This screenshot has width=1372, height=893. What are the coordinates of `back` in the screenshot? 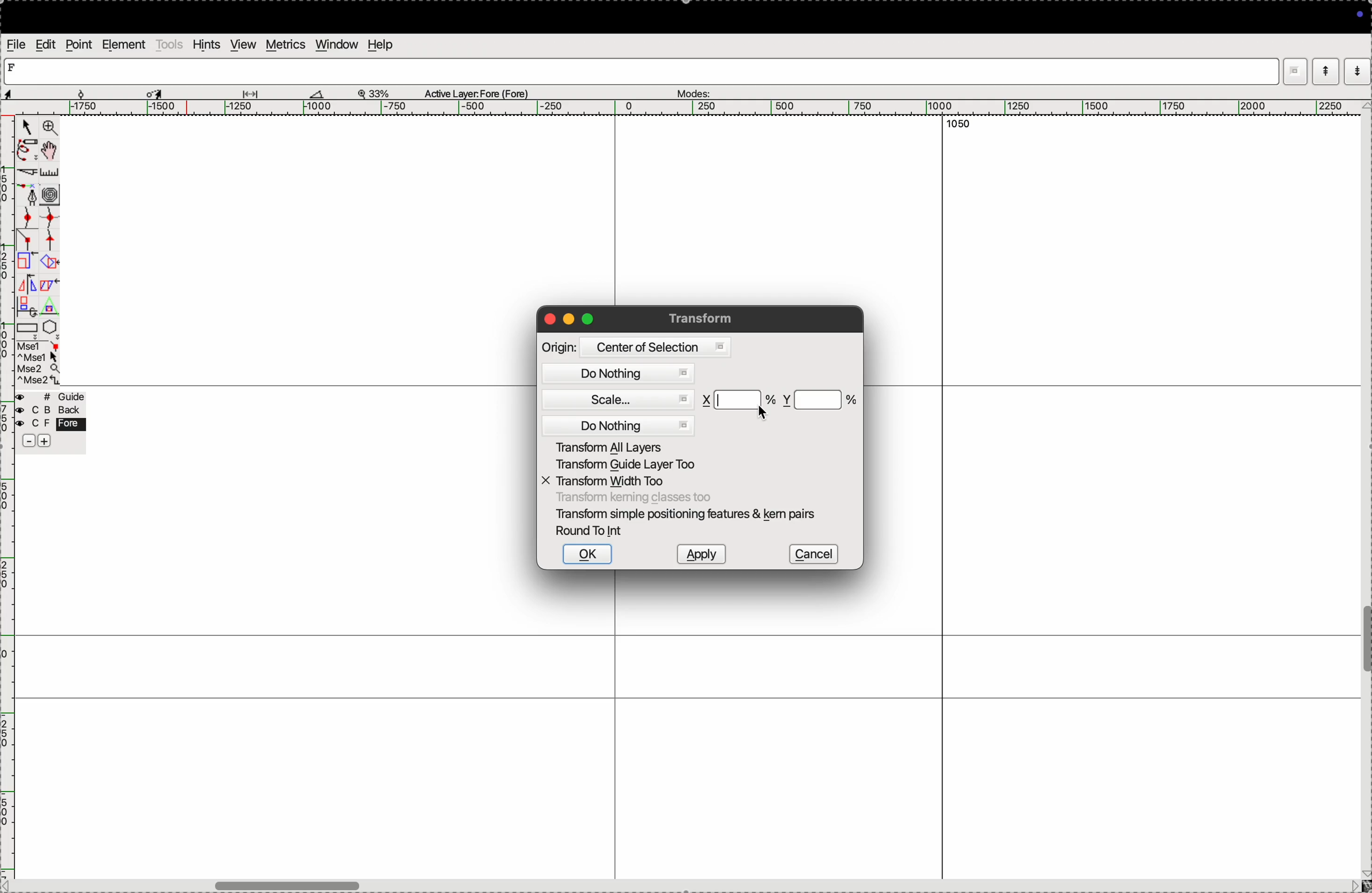 It's located at (47, 411).